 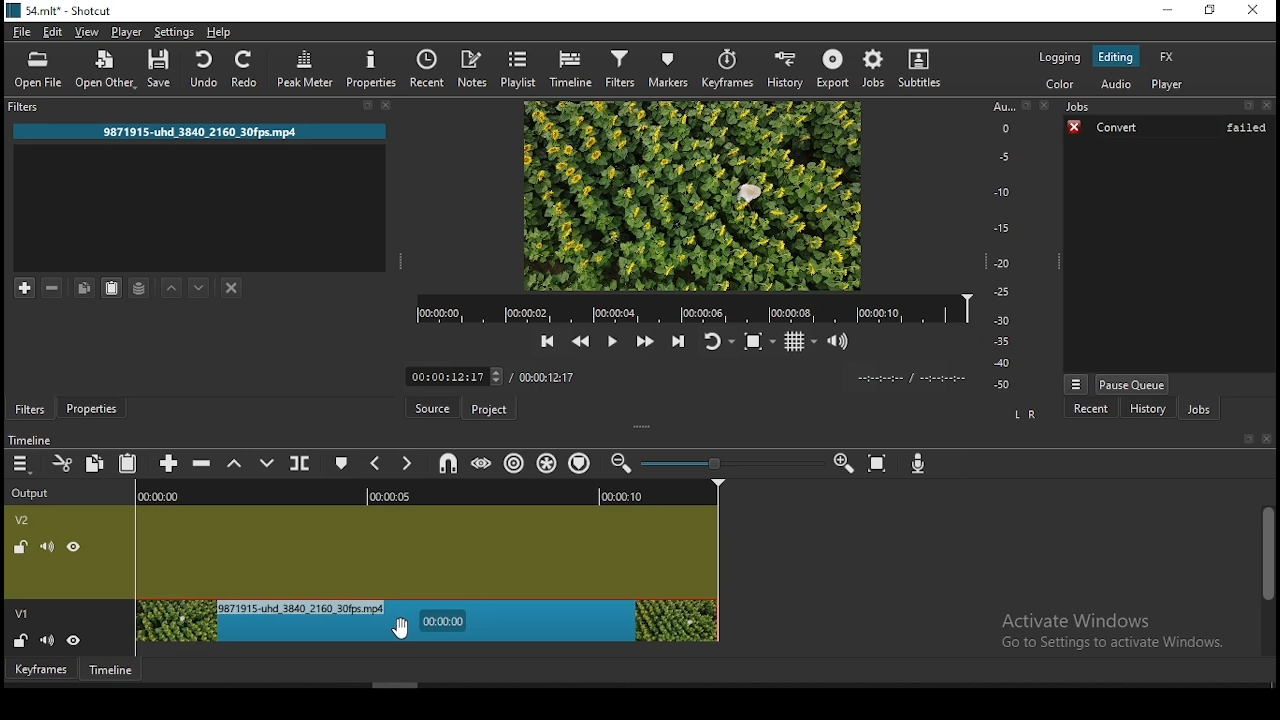 I want to click on convert failed, so click(x=1172, y=130).